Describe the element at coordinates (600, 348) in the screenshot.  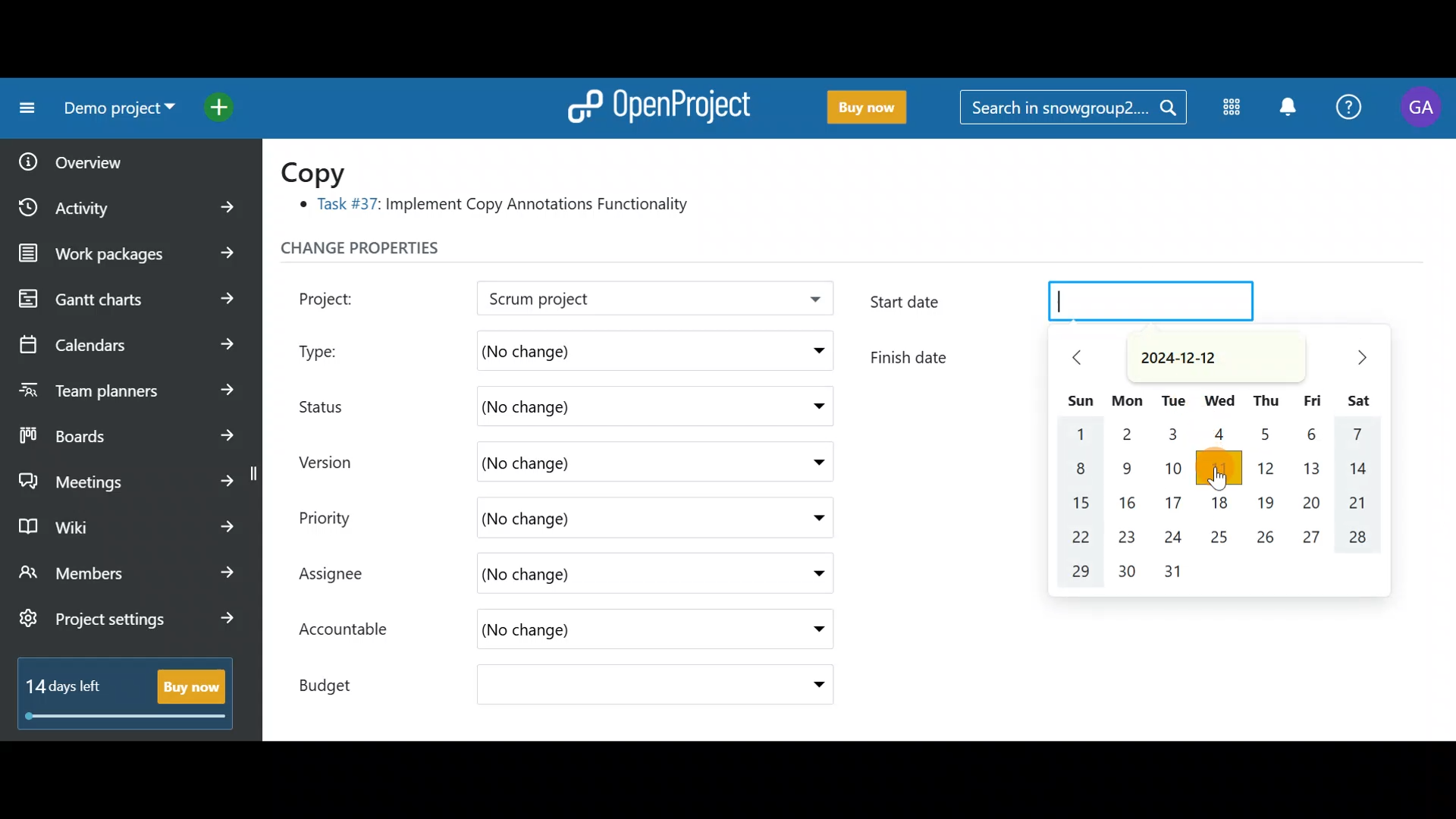
I see `(No change)` at that location.